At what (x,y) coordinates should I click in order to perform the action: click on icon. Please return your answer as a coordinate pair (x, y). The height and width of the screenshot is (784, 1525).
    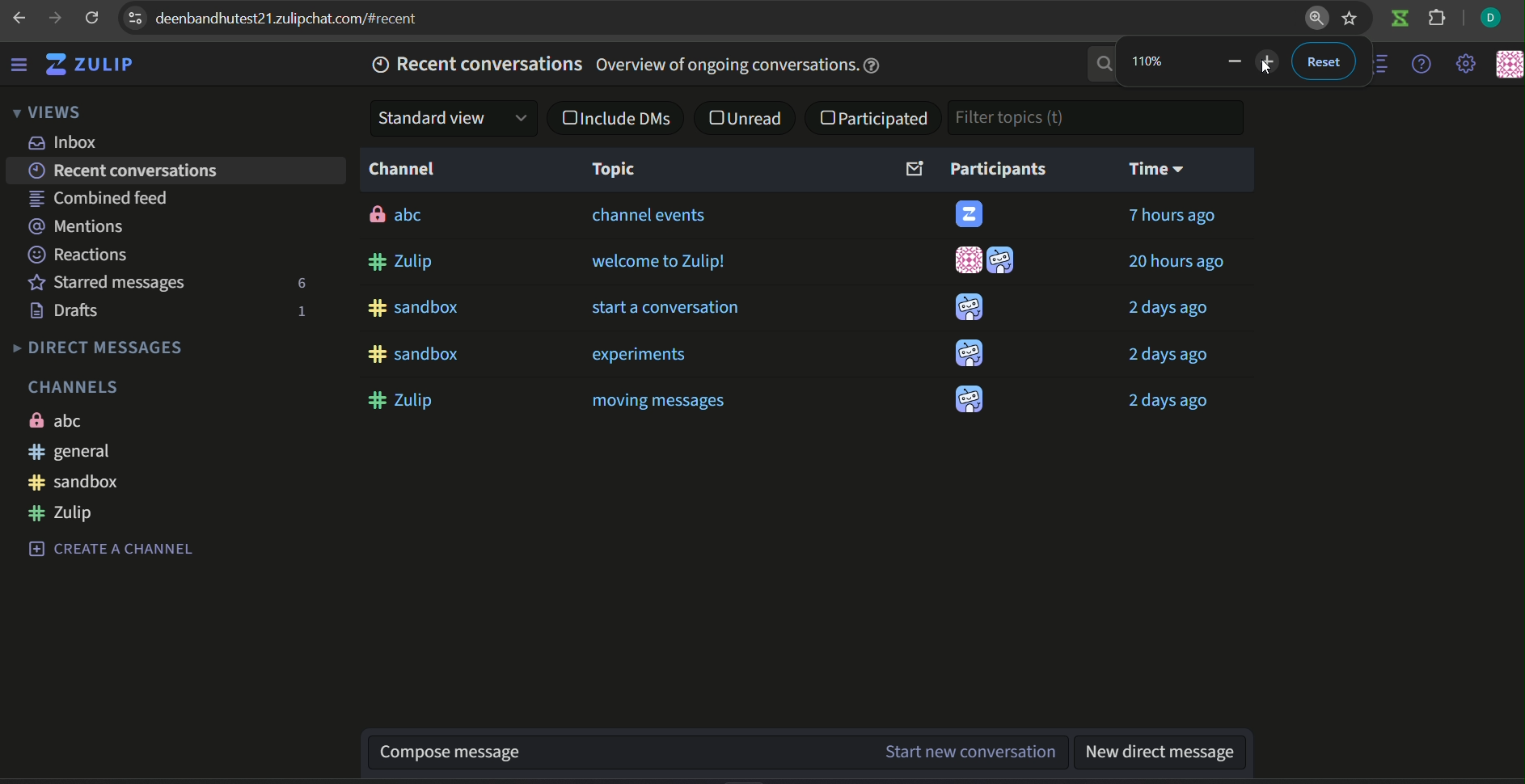
    Looking at the image, I should click on (969, 354).